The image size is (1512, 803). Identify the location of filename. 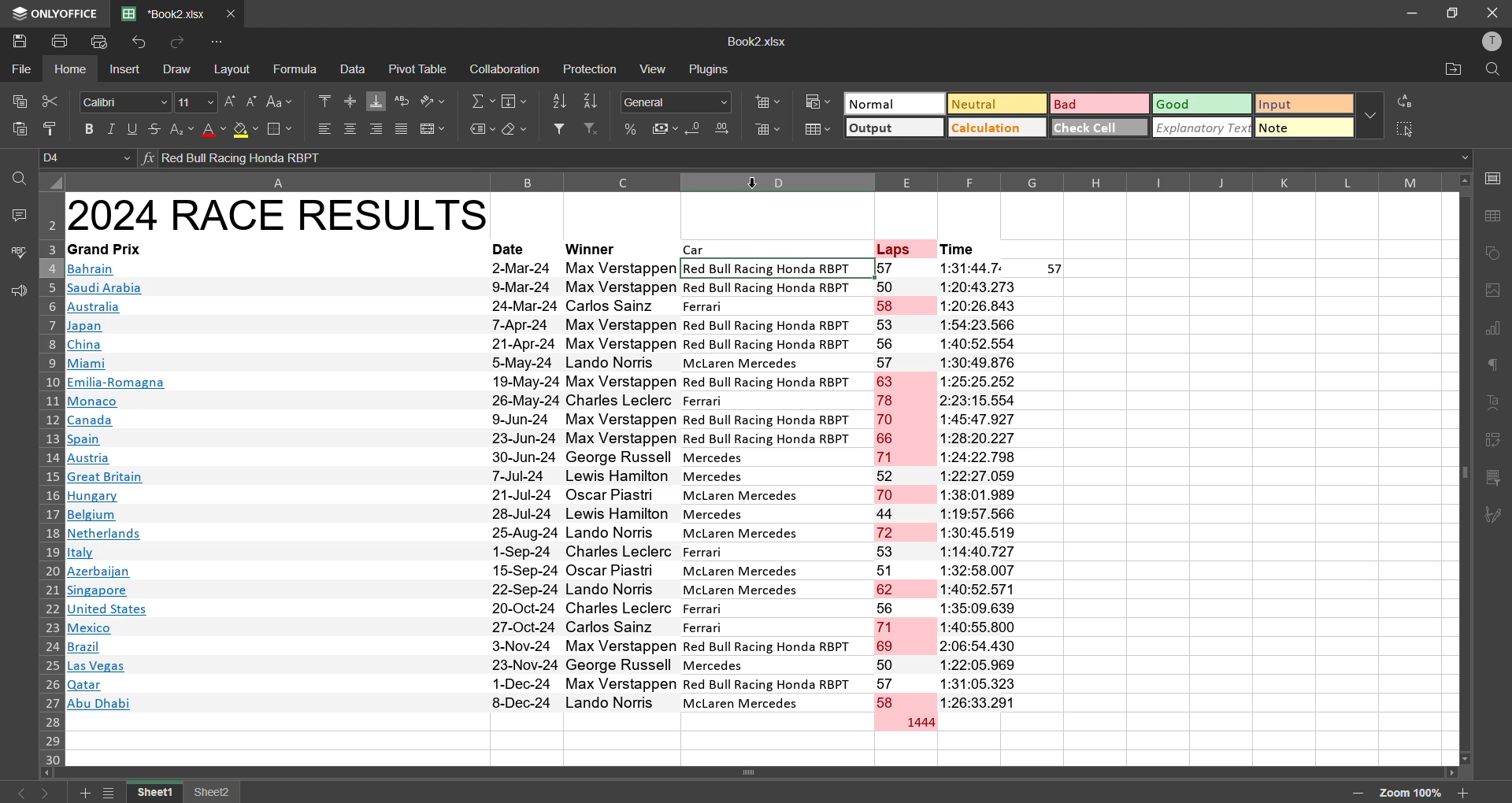
(169, 12).